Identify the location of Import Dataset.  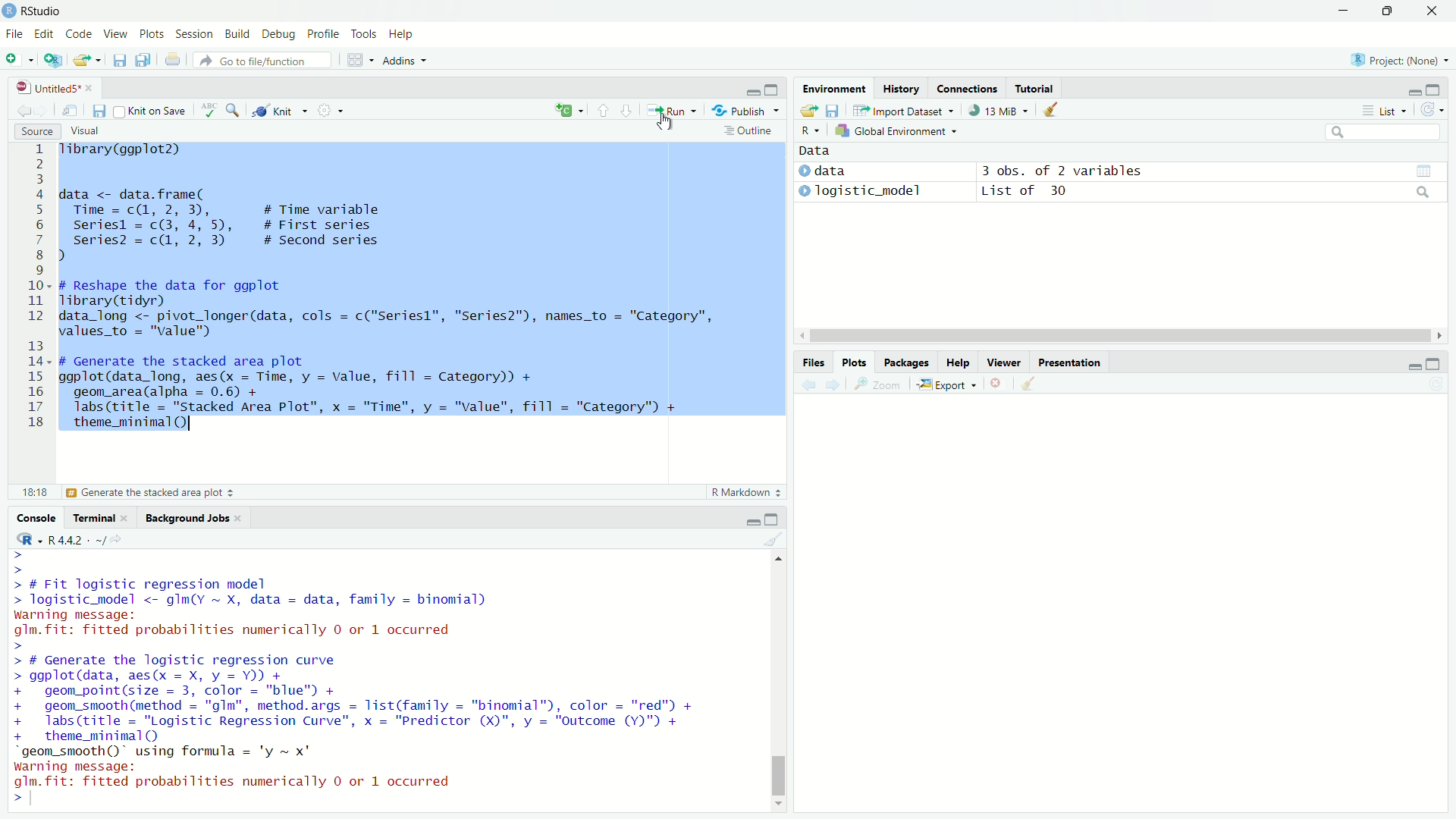
(910, 113).